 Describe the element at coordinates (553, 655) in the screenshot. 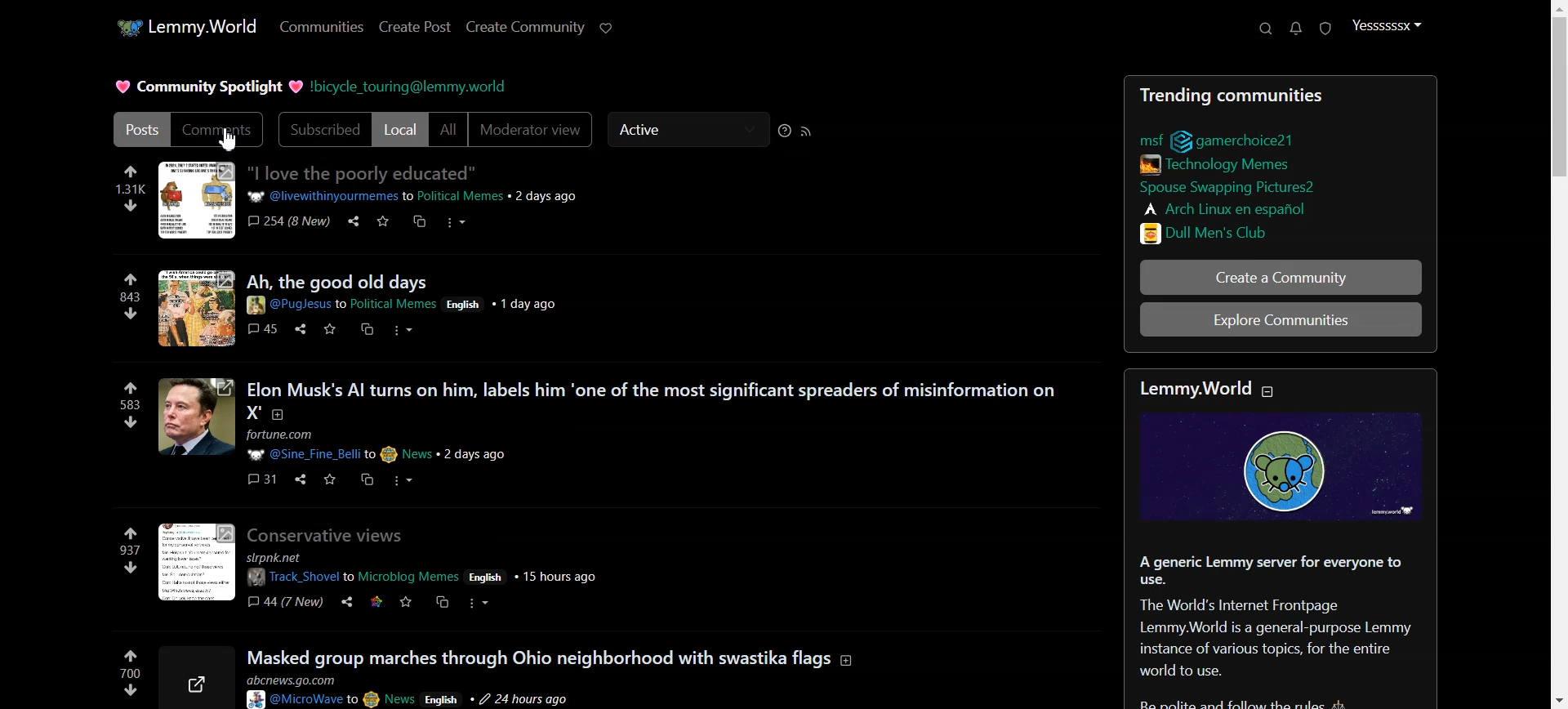

I see `post` at that location.